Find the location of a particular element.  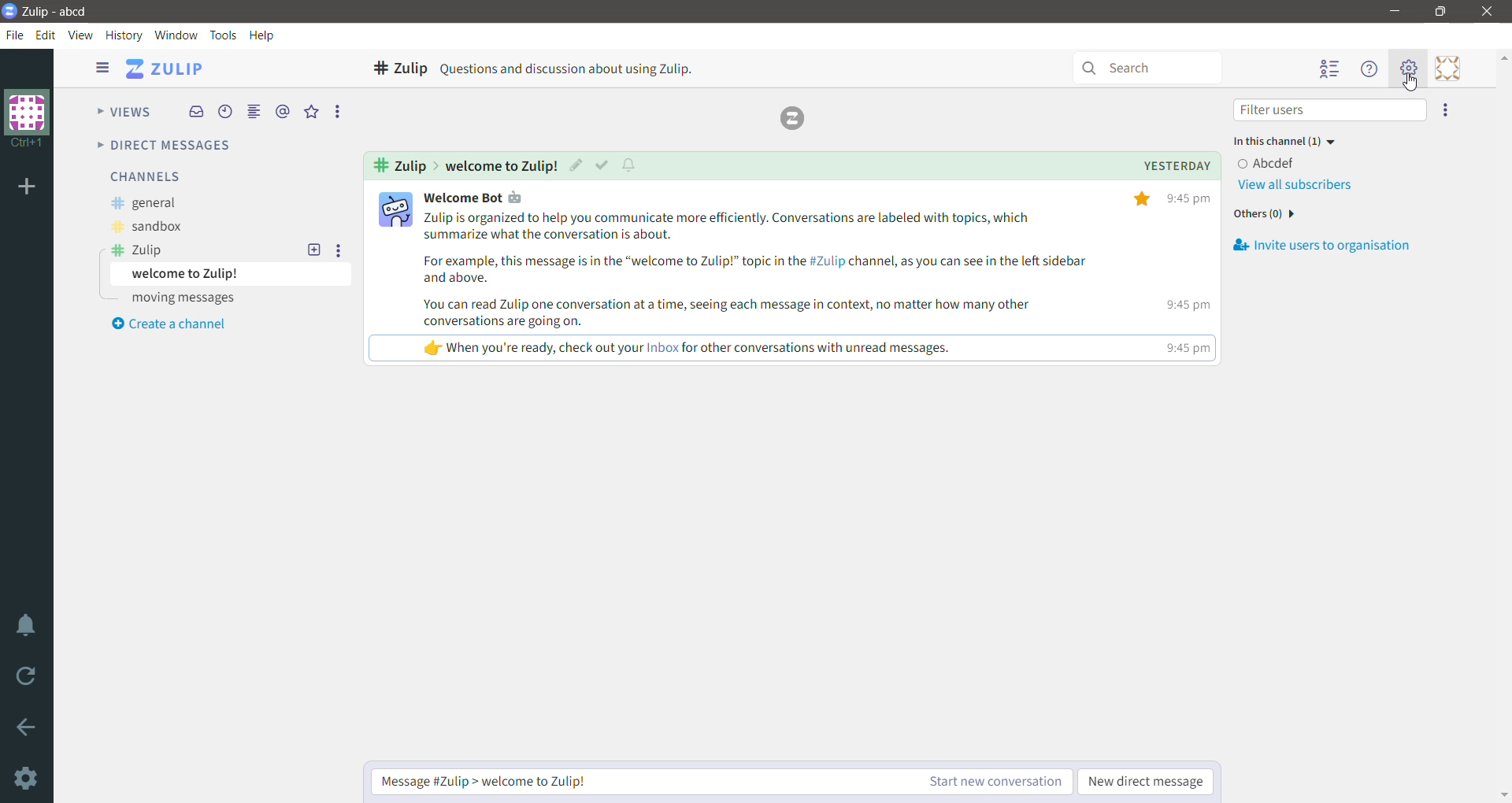

Search is located at coordinates (1146, 68).